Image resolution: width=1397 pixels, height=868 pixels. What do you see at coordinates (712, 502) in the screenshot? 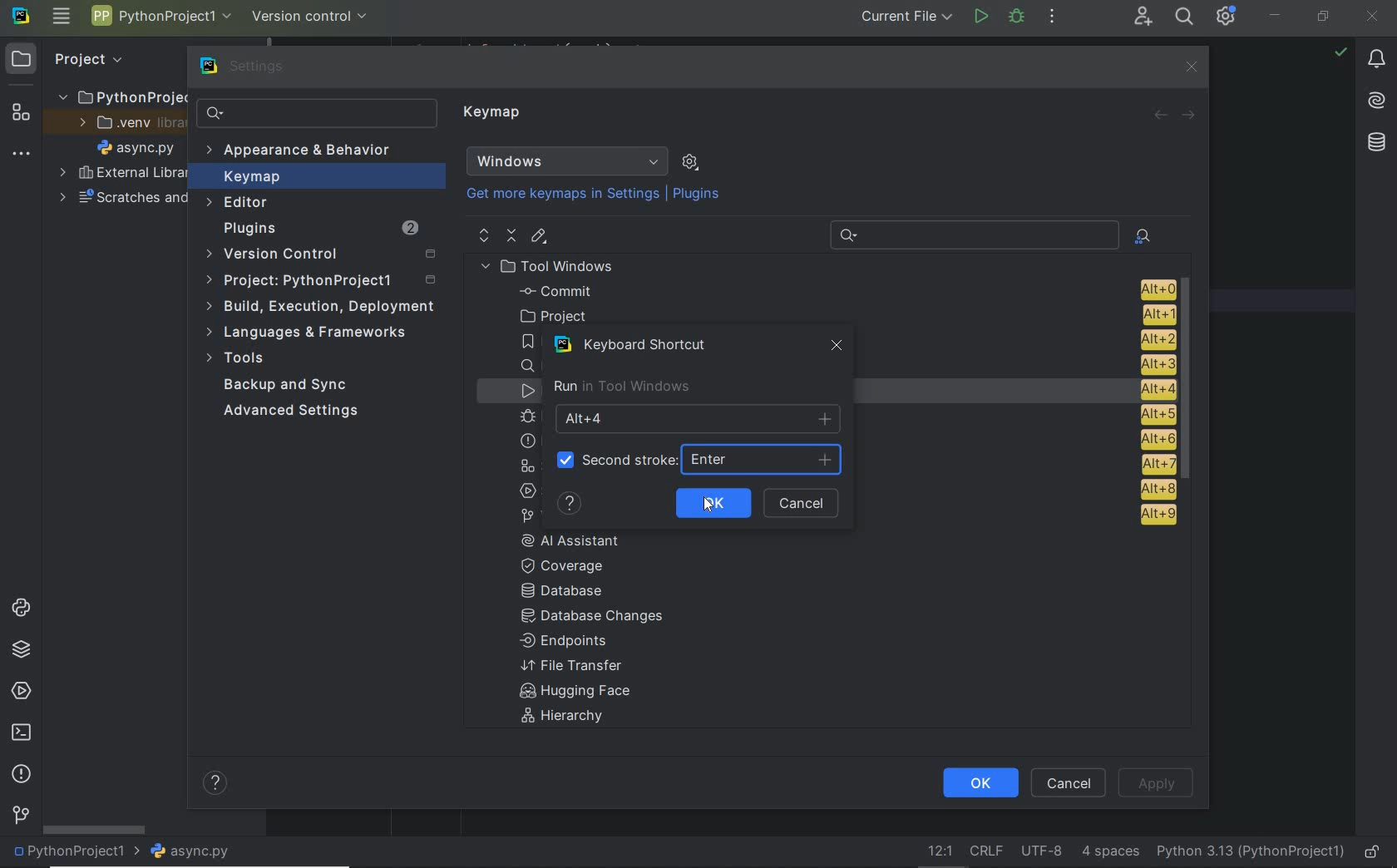
I see `OK` at bounding box center [712, 502].